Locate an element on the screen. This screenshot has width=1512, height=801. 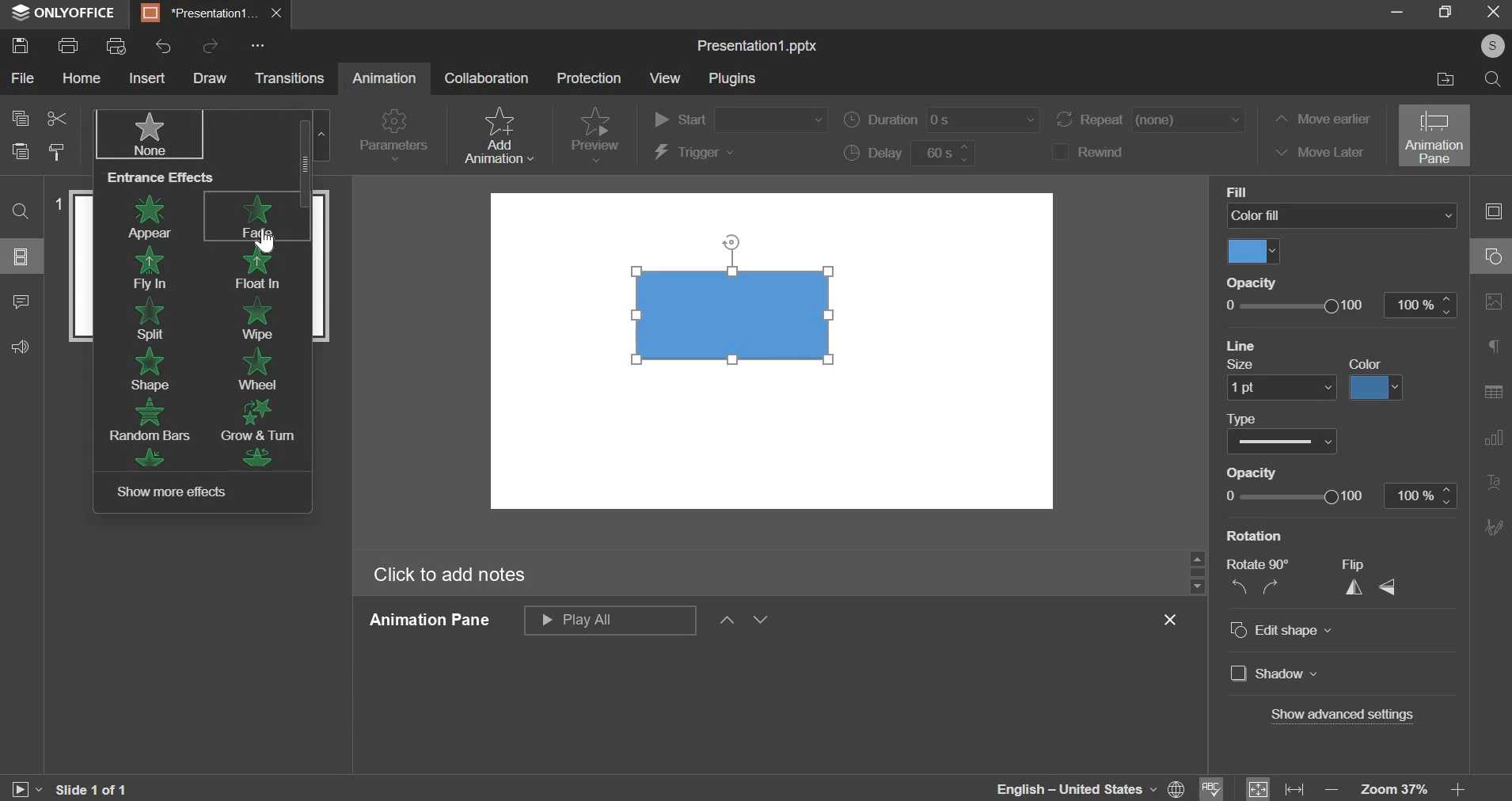
up is located at coordinates (727, 623).